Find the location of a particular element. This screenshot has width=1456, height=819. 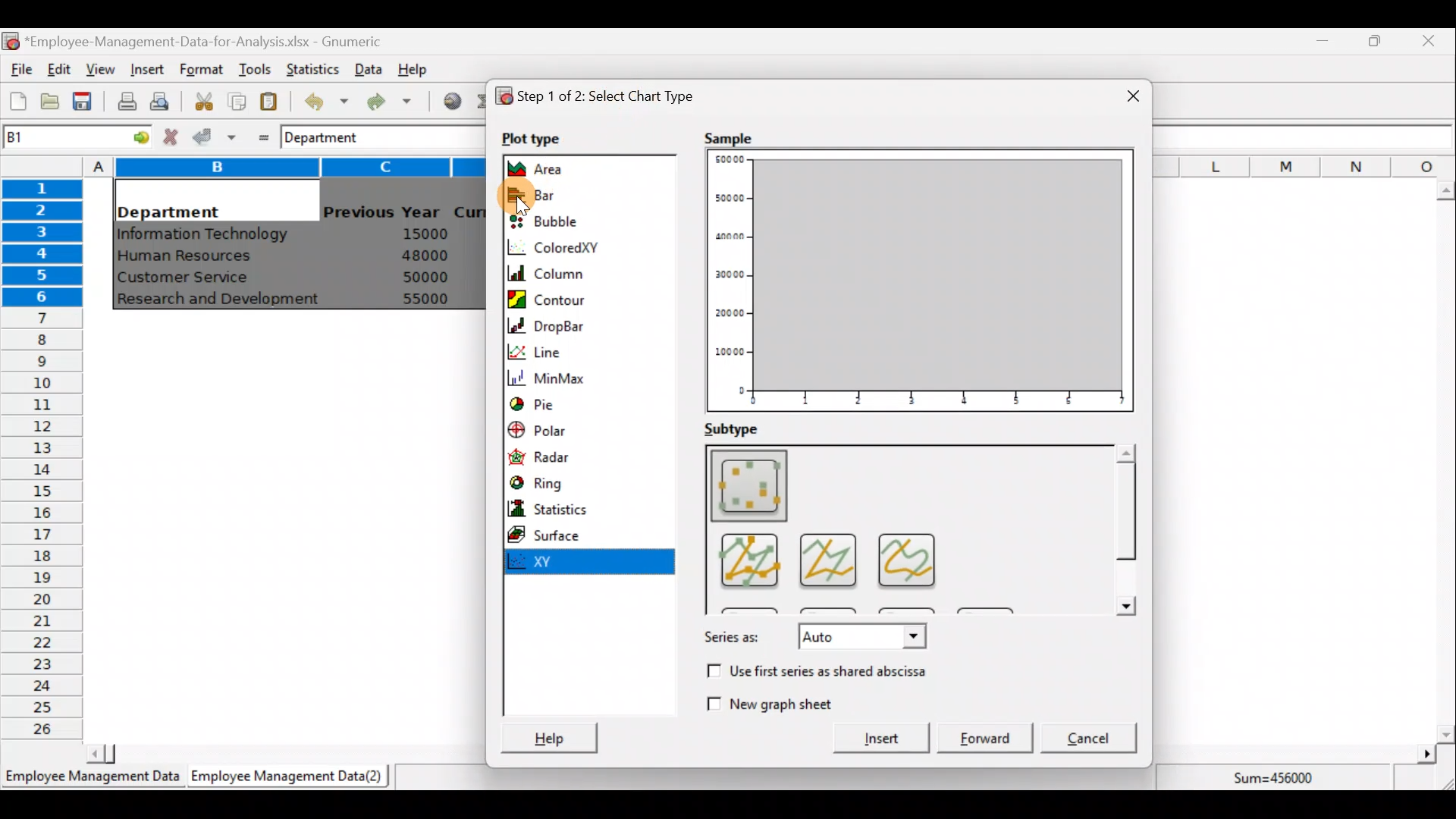

Insert hyperlink is located at coordinates (447, 100).